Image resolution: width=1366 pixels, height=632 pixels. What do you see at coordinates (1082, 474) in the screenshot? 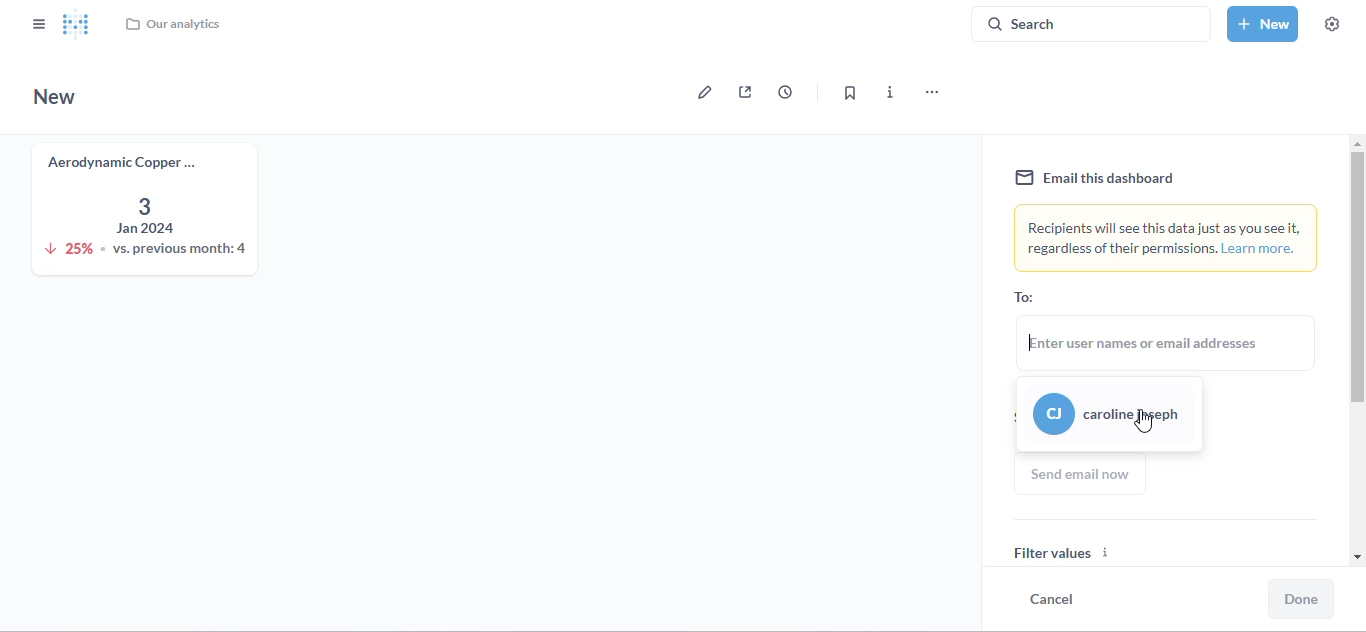
I see `send email now` at bounding box center [1082, 474].